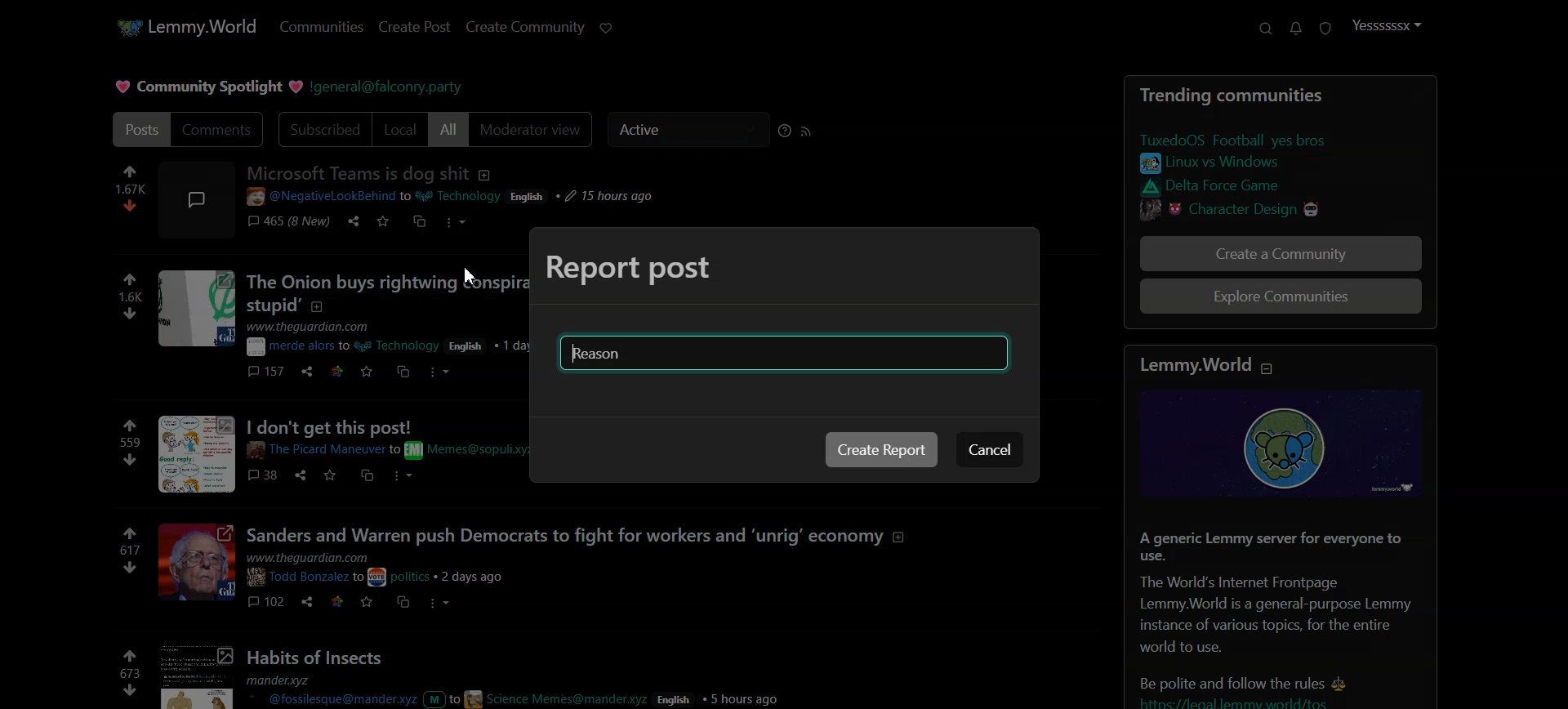  What do you see at coordinates (687, 130) in the screenshot?
I see `Active` at bounding box center [687, 130].